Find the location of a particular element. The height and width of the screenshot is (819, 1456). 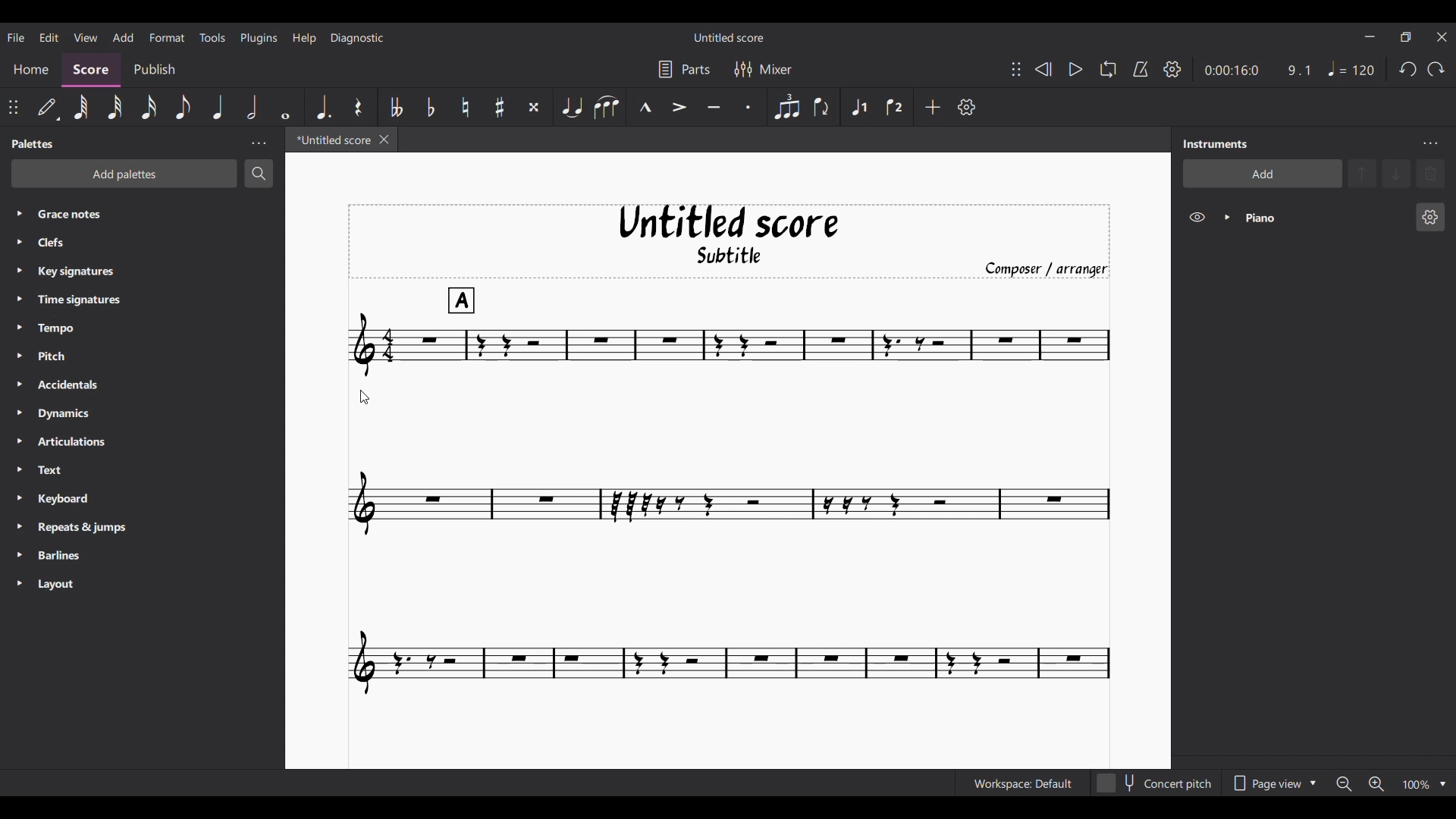

Rewind is located at coordinates (1043, 69).